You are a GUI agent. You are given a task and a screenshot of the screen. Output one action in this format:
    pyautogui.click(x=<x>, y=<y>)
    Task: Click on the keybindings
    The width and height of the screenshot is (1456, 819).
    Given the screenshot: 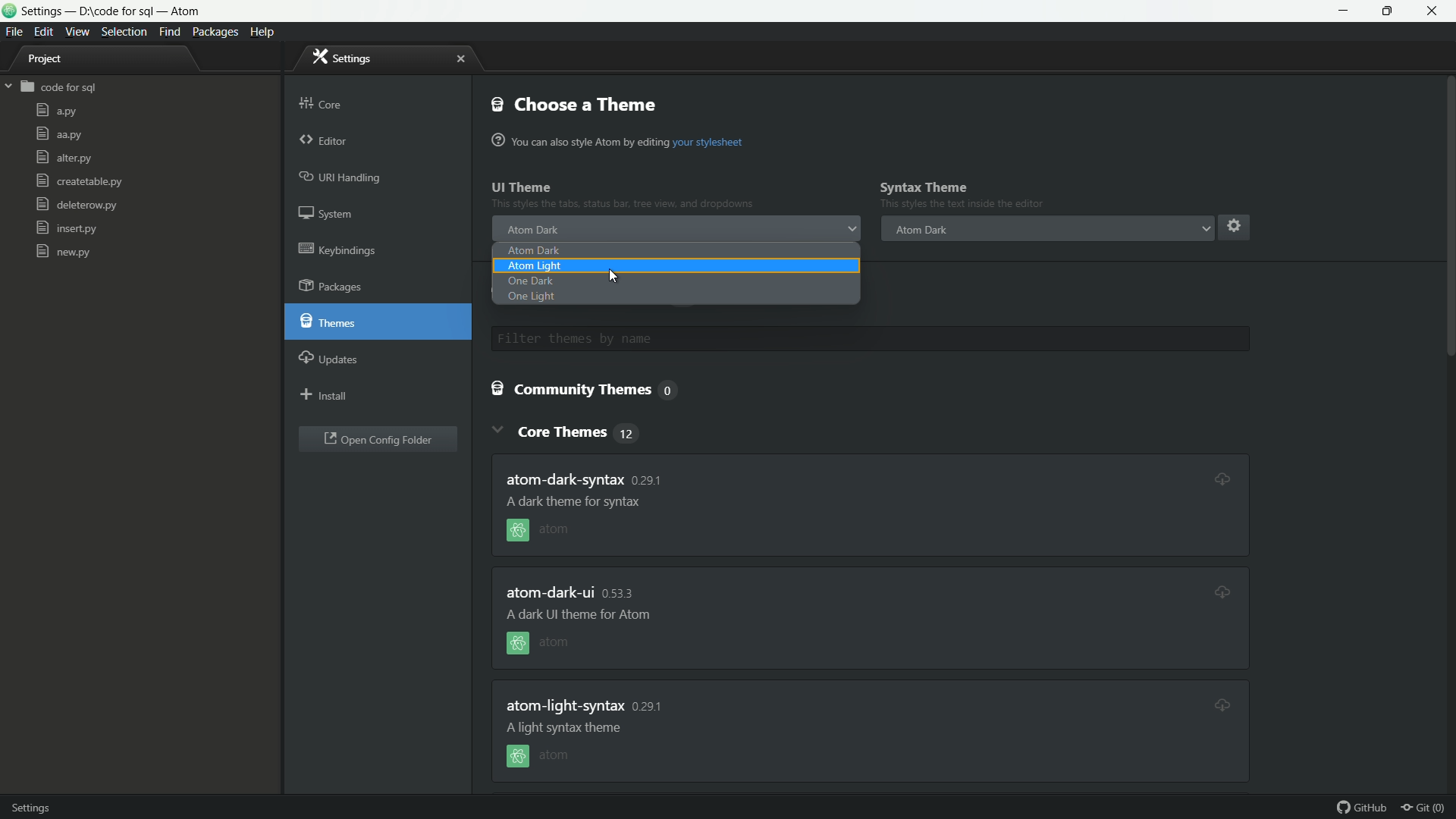 What is the action you would take?
    pyautogui.click(x=338, y=249)
    